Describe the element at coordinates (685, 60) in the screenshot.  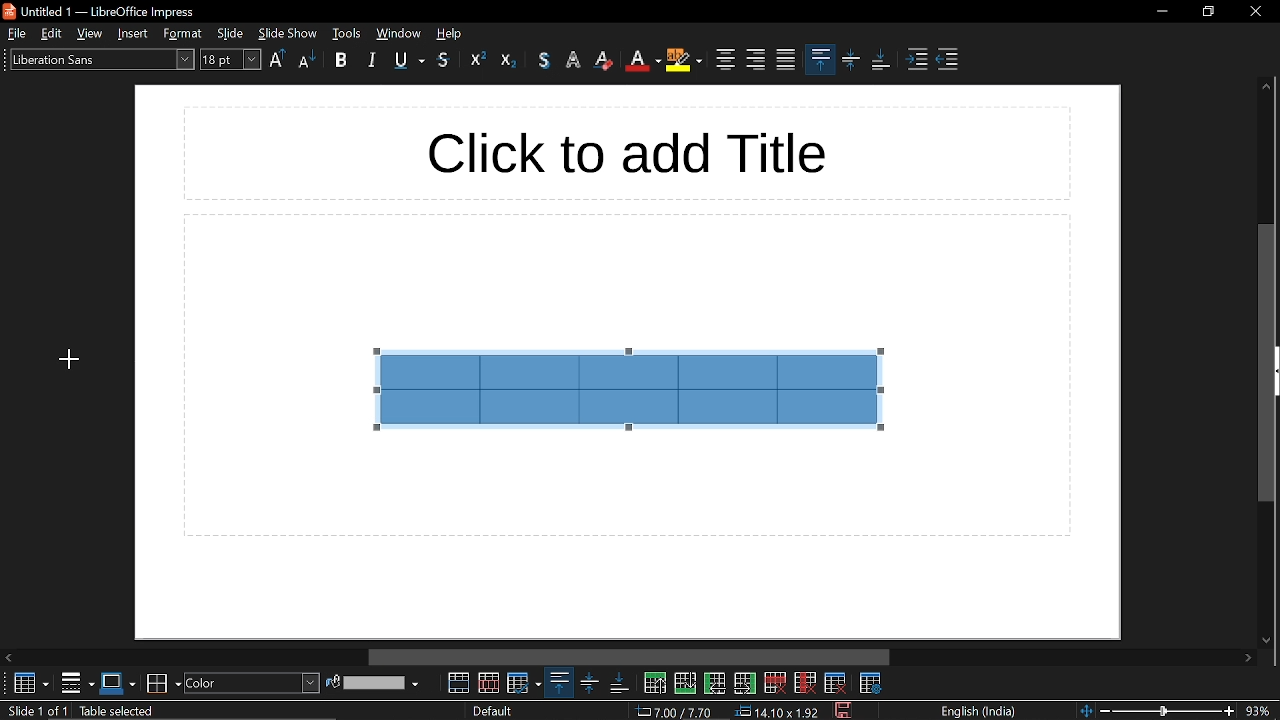
I see `highlight` at that location.